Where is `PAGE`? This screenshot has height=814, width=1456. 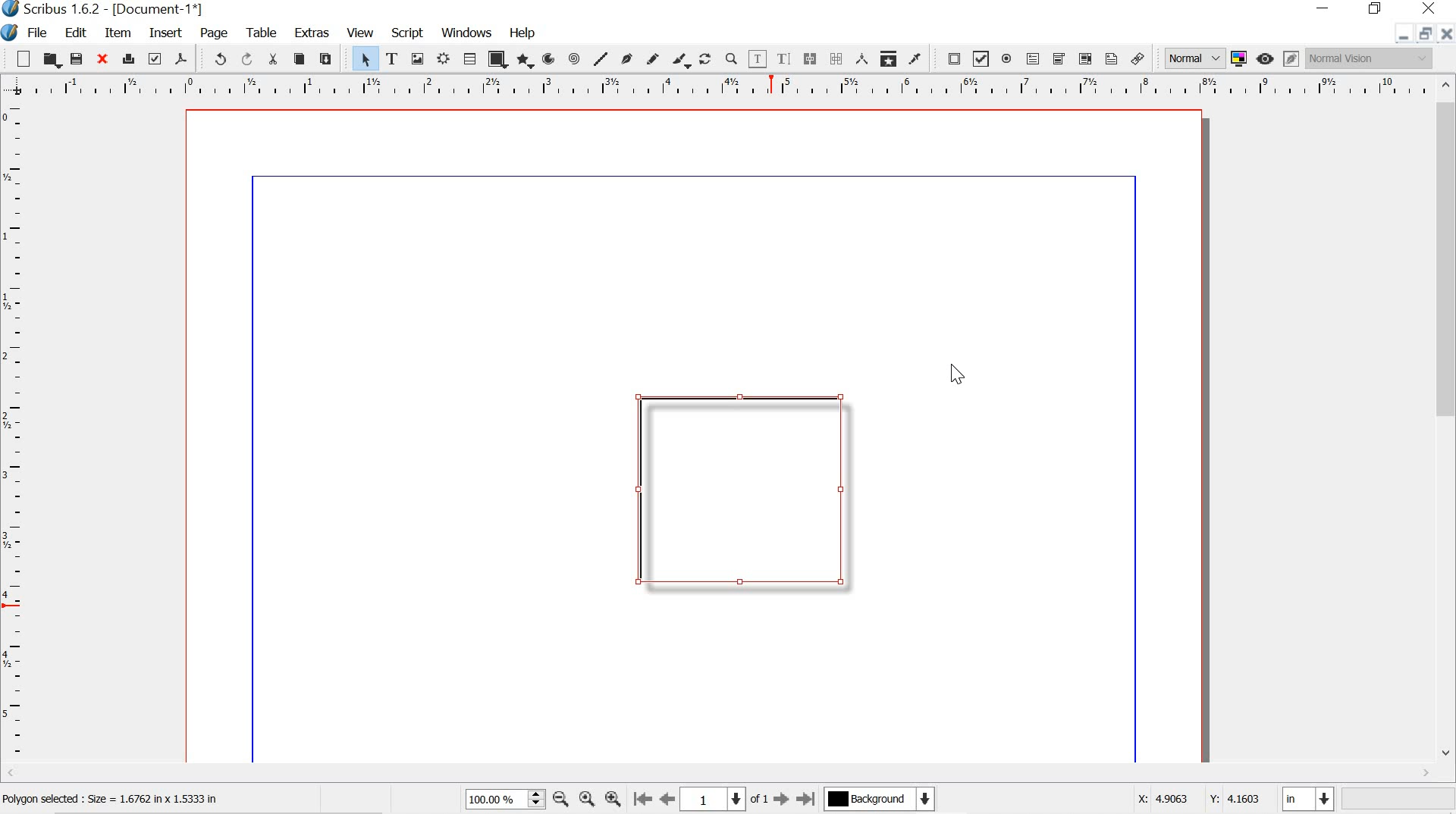
PAGE is located at coordinates (215, 33).